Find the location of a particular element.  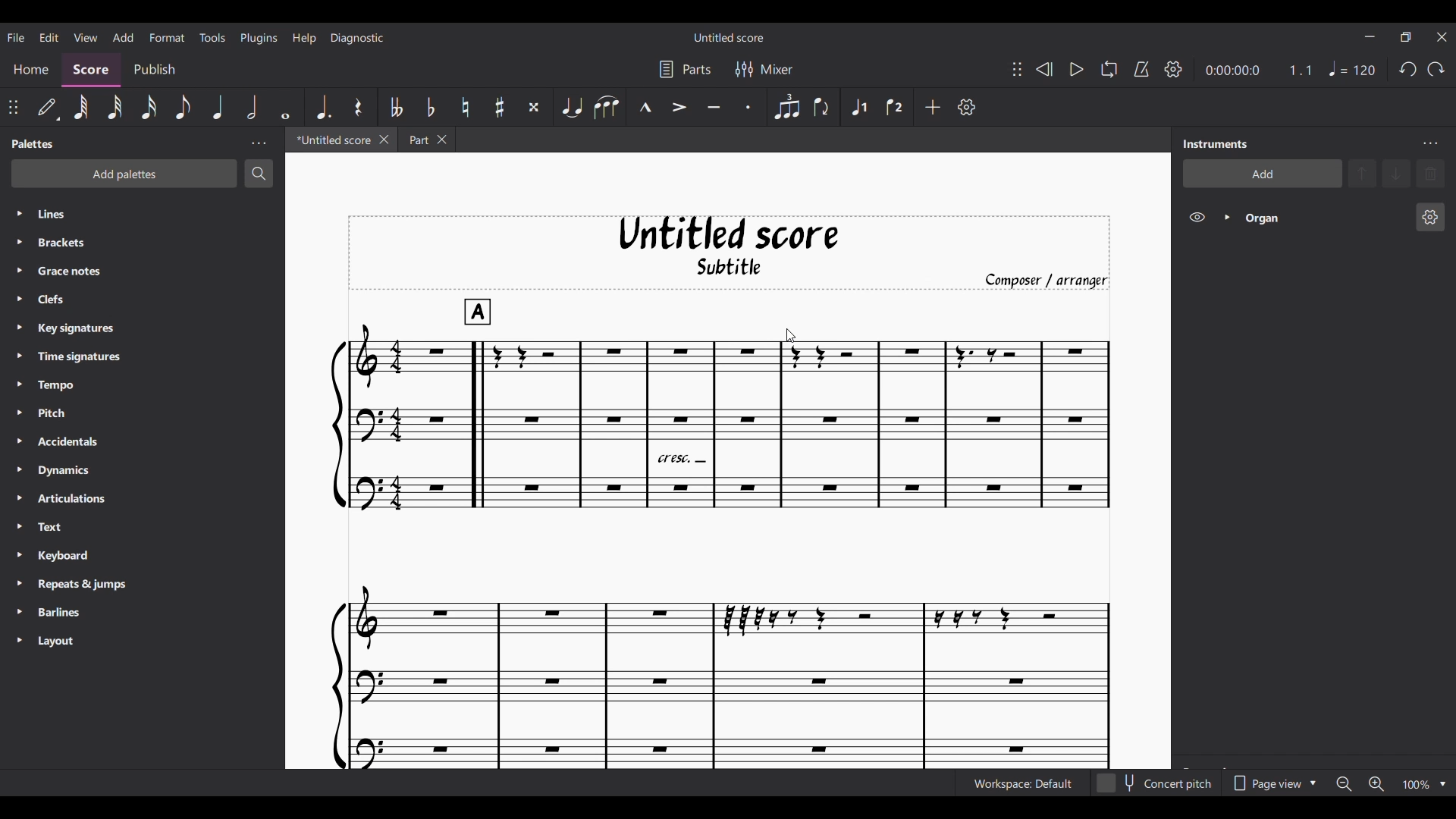

Accent is located at coordinates (679, 108).